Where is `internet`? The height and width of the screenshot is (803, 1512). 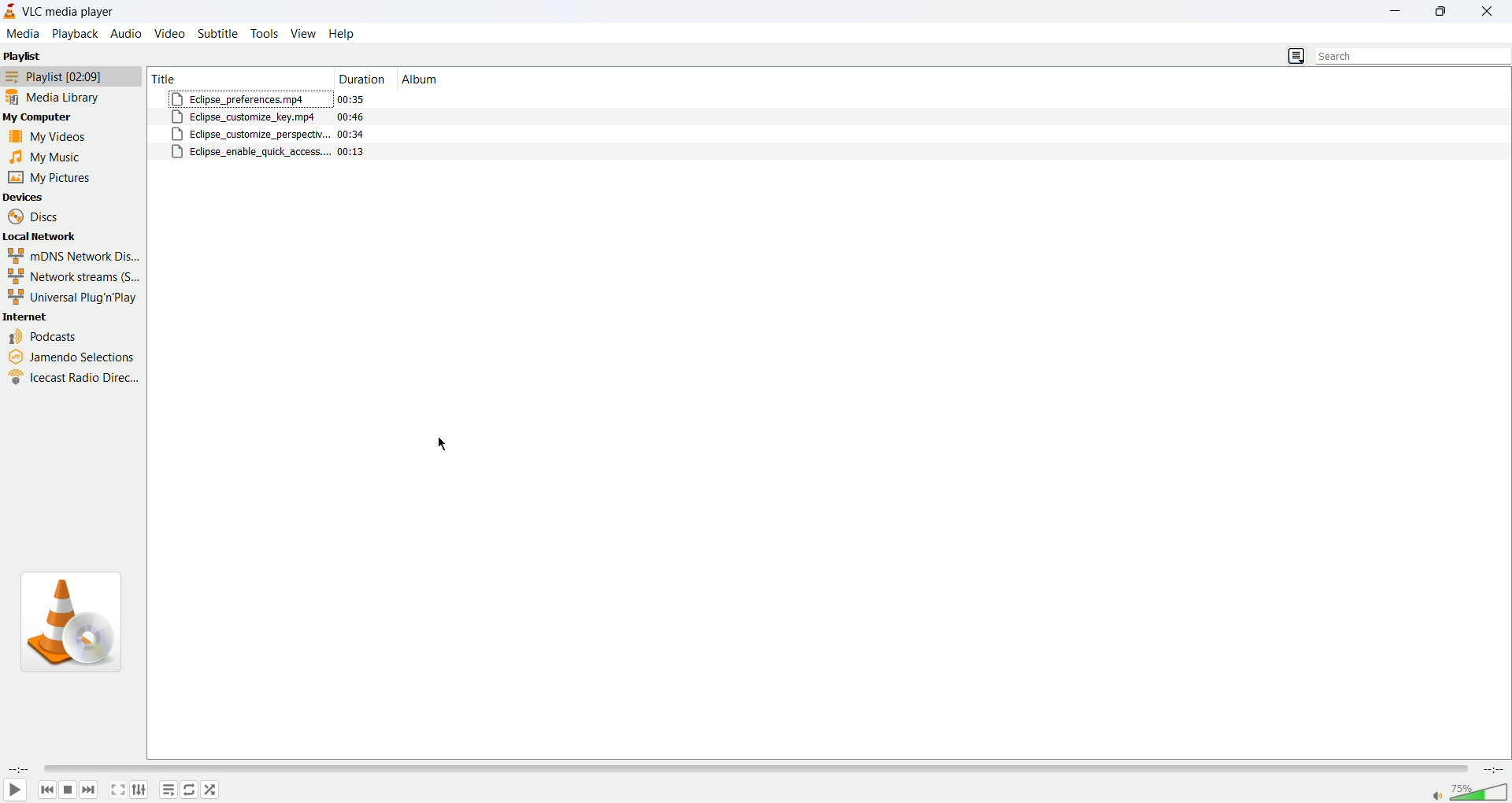
internet is located at coordinates (51, 317).